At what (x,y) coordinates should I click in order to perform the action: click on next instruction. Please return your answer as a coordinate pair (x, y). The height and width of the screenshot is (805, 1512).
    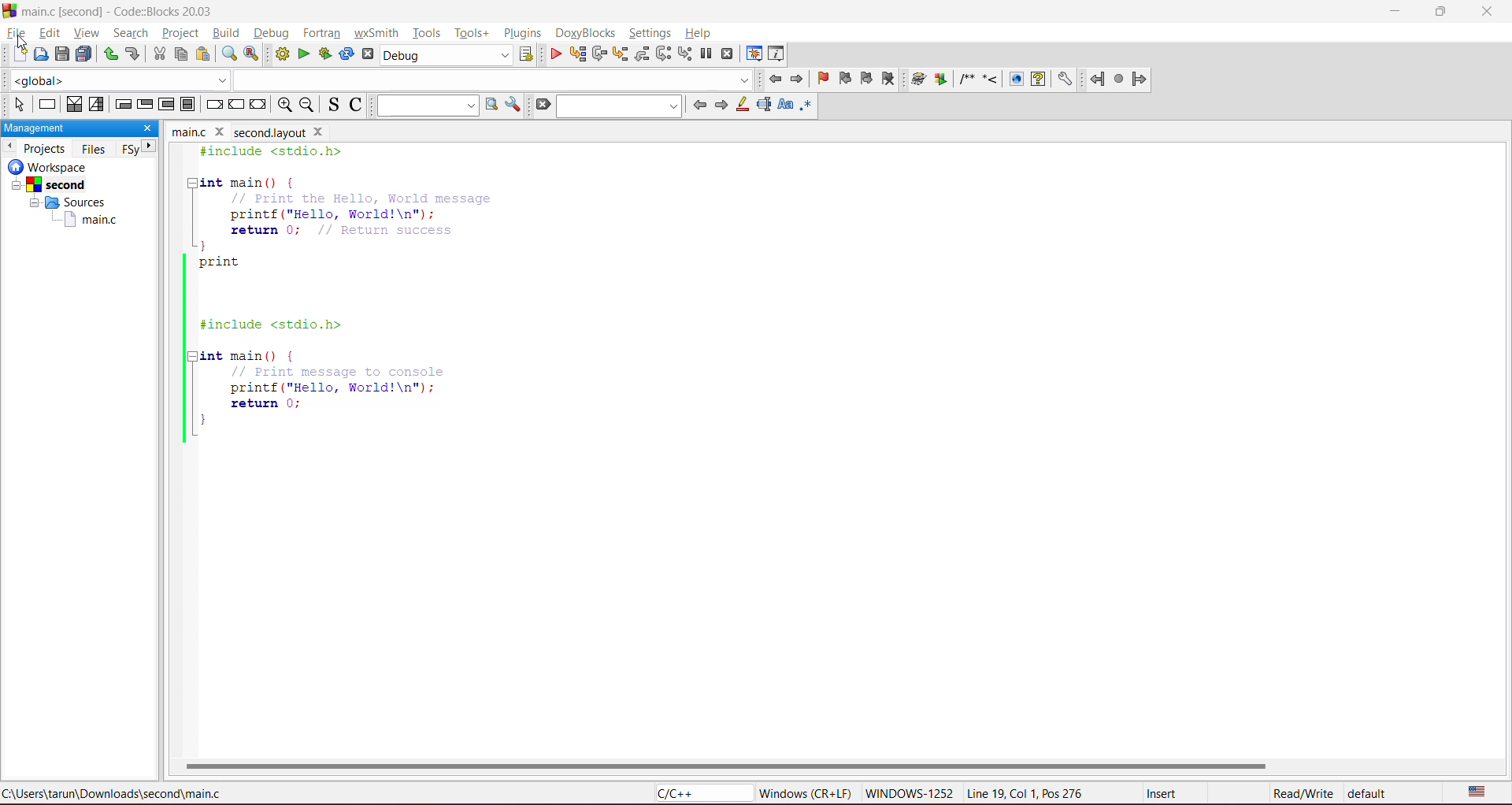
    Looking at the image, I should click on (664, 53).